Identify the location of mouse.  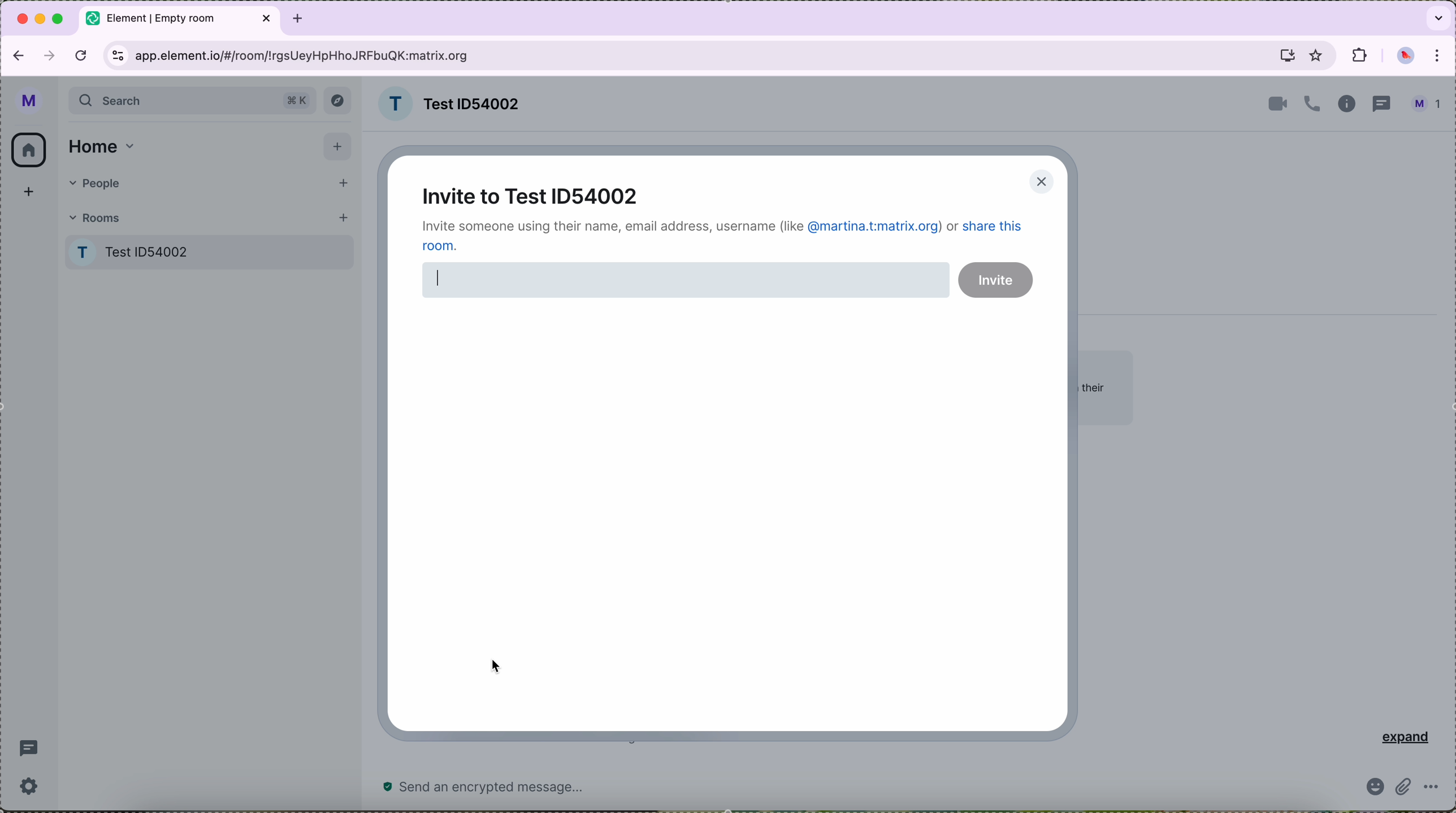
(499, 667).